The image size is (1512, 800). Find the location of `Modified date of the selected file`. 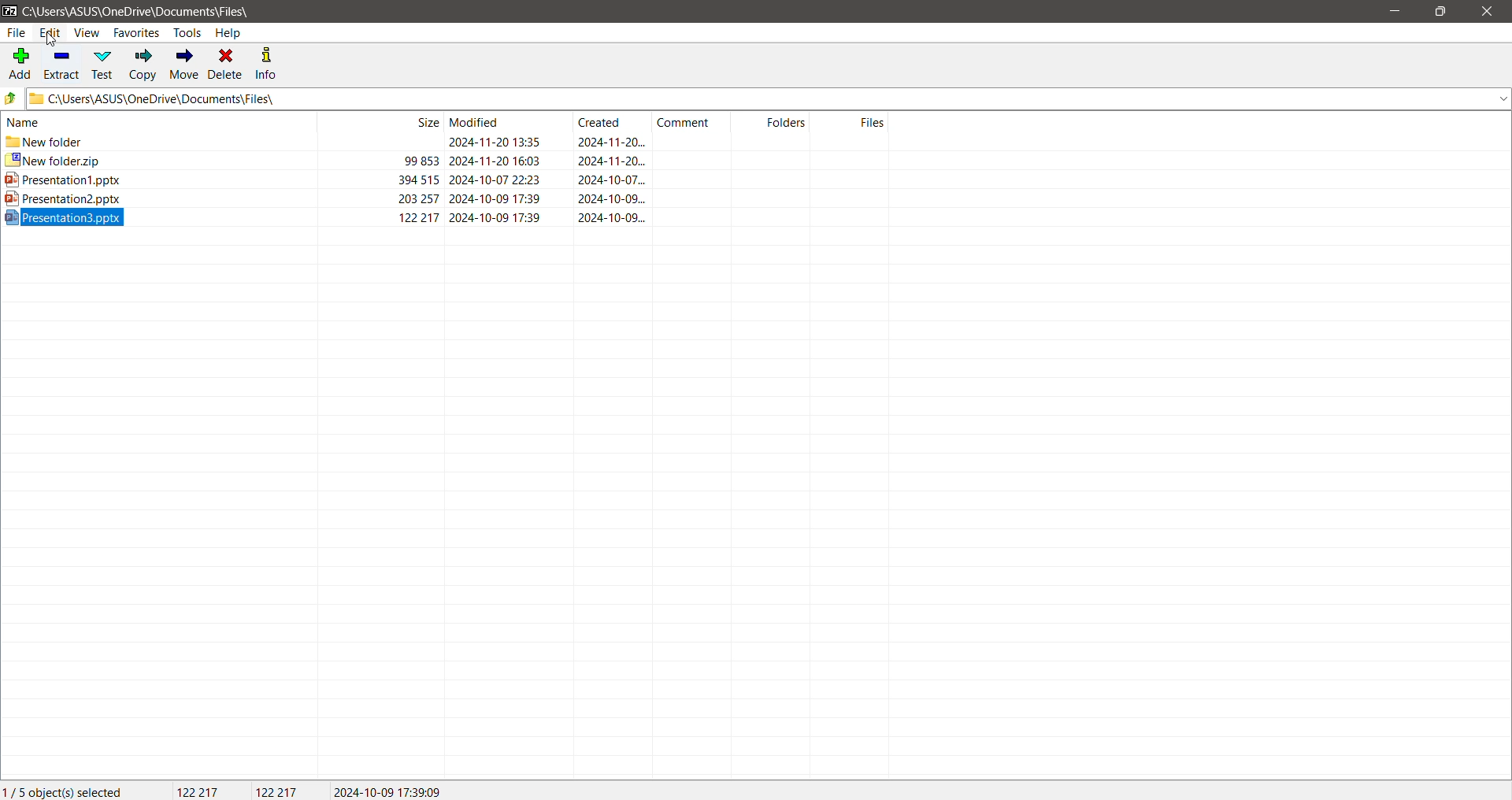

Modified date of the selected file is located at coordinates (395, 791).